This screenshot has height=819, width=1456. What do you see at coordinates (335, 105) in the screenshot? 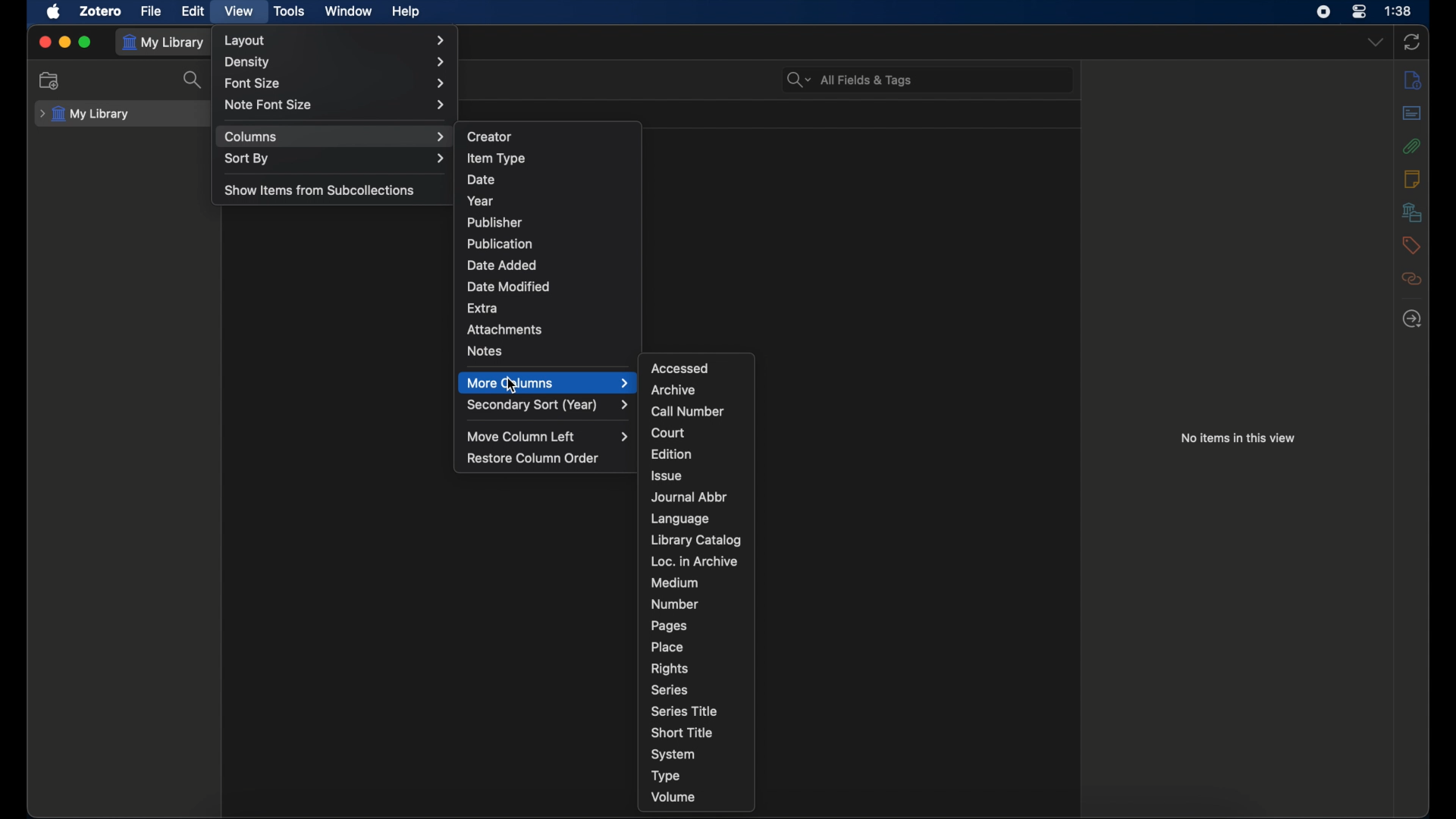
I see `note font size` at bounding box center [335, 105].